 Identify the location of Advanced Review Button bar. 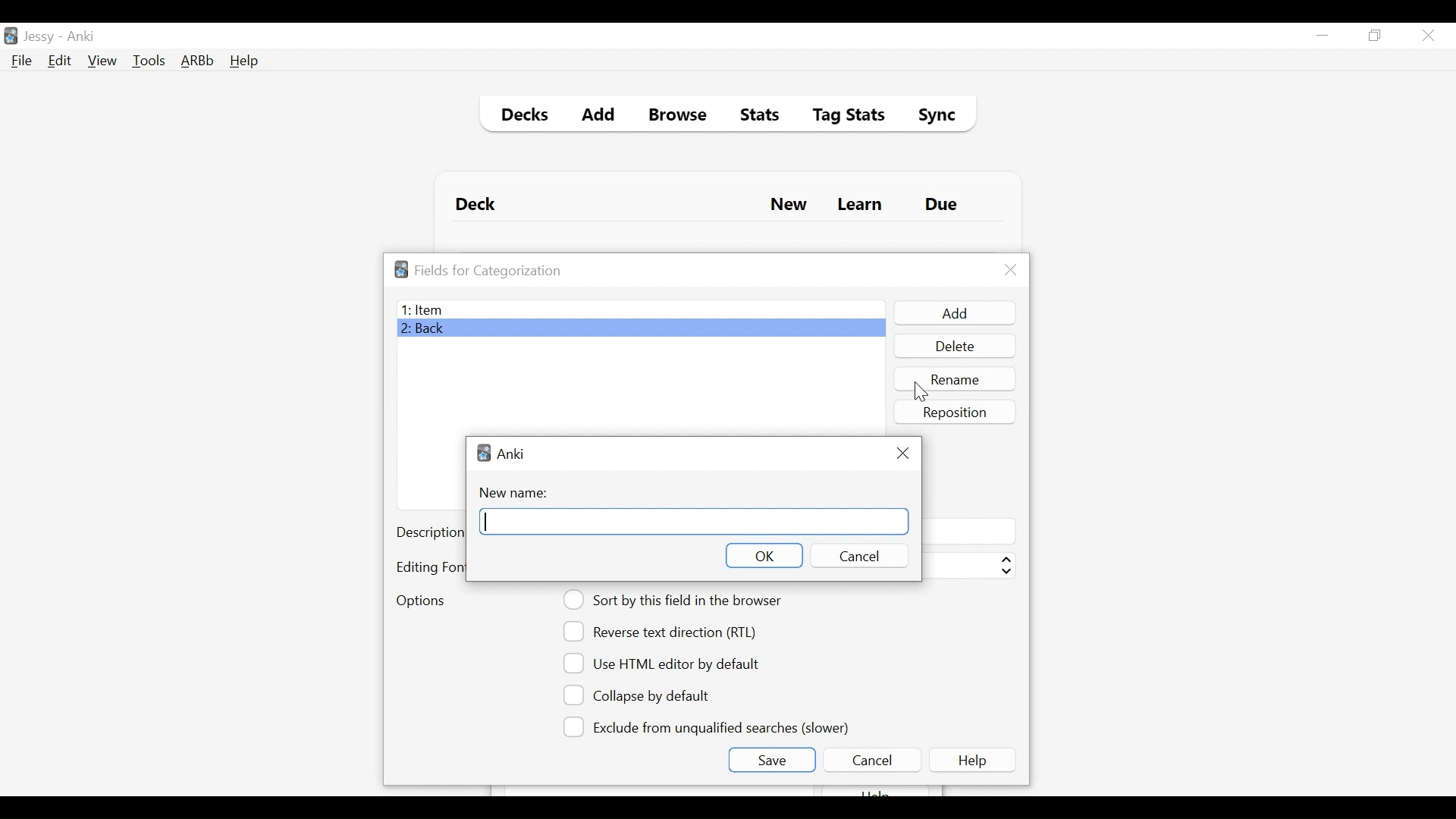
(198, 61).